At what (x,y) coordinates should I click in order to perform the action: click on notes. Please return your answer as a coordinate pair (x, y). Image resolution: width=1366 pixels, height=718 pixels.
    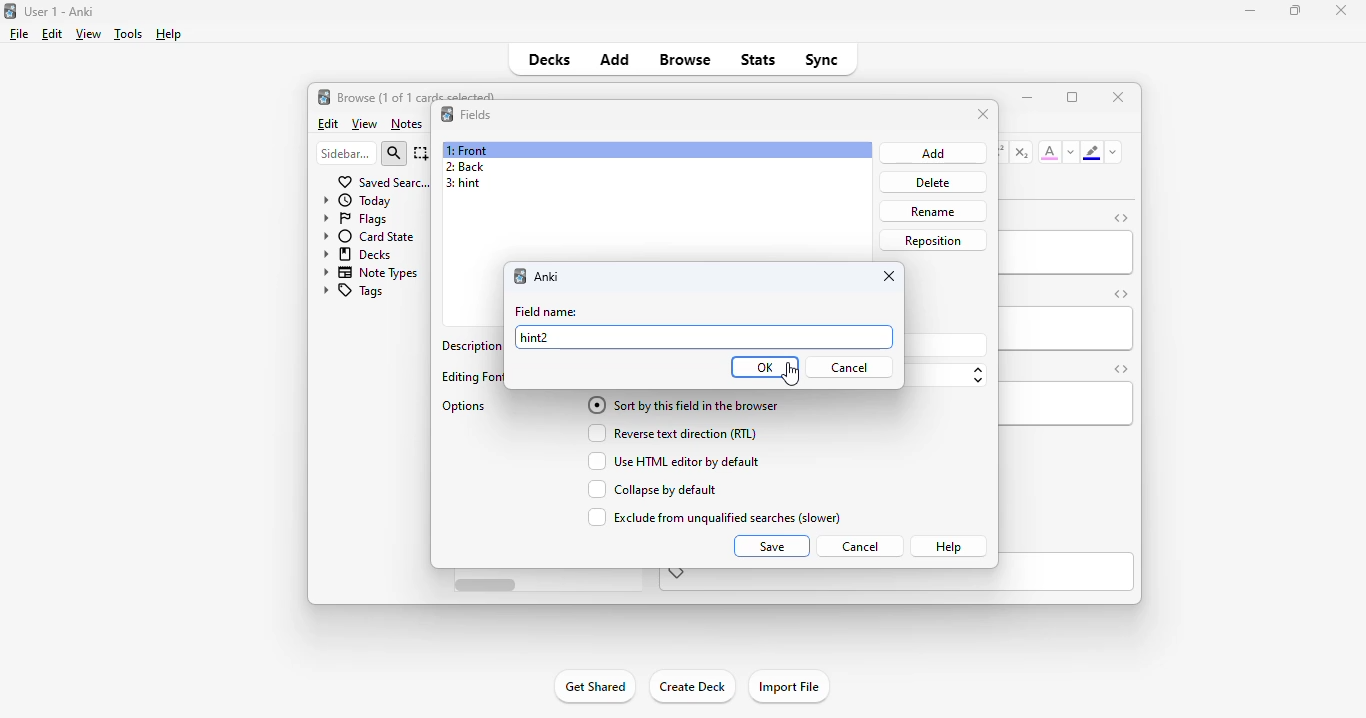
    Looking at the image, I should click on (406, 124).